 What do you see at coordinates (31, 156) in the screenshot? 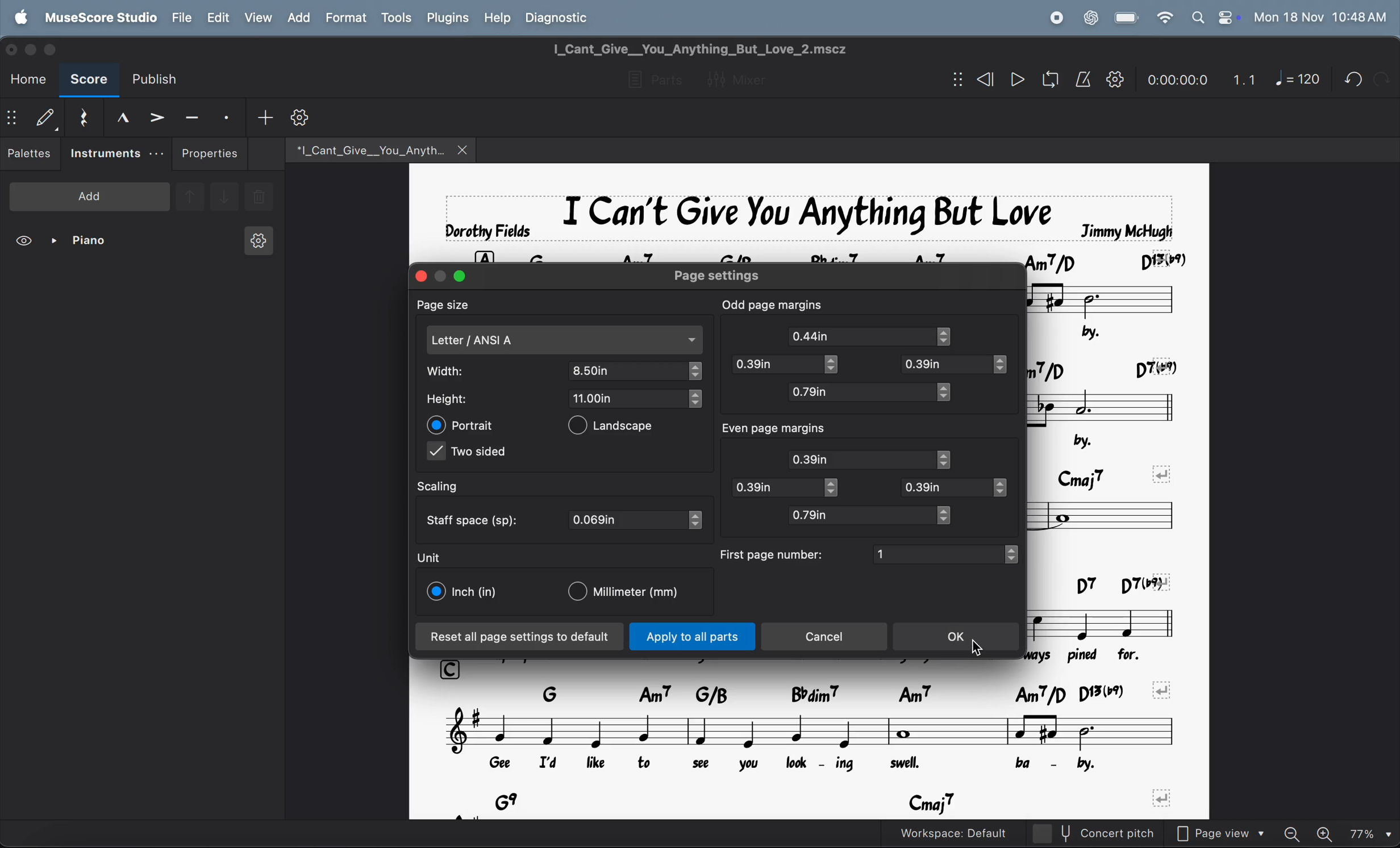
I see `palettes` at bounding box center [31, 156].